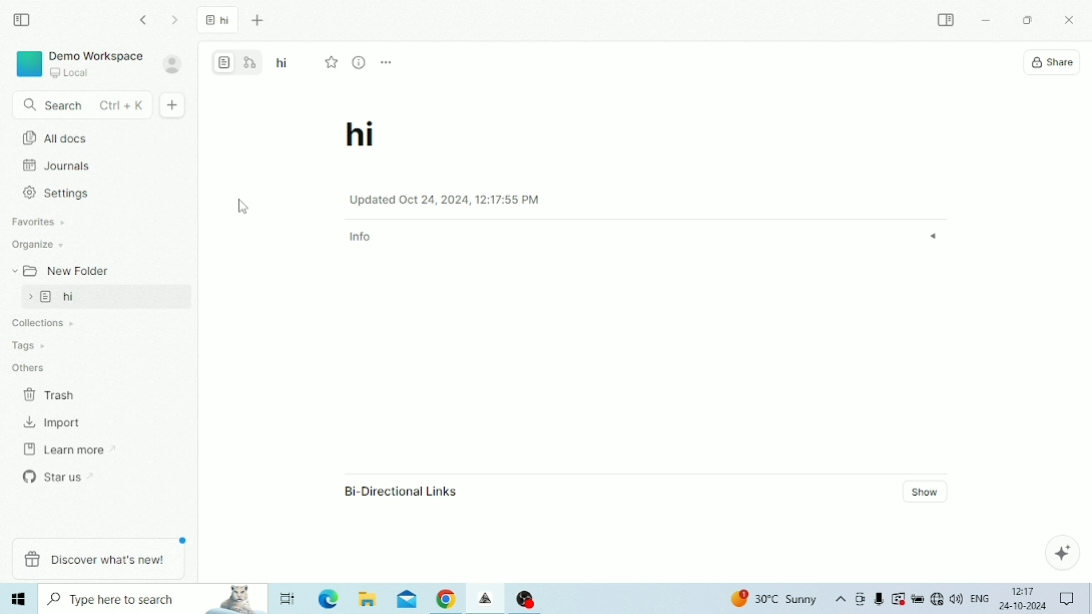  I want to click on Organize, so click(39, 245).